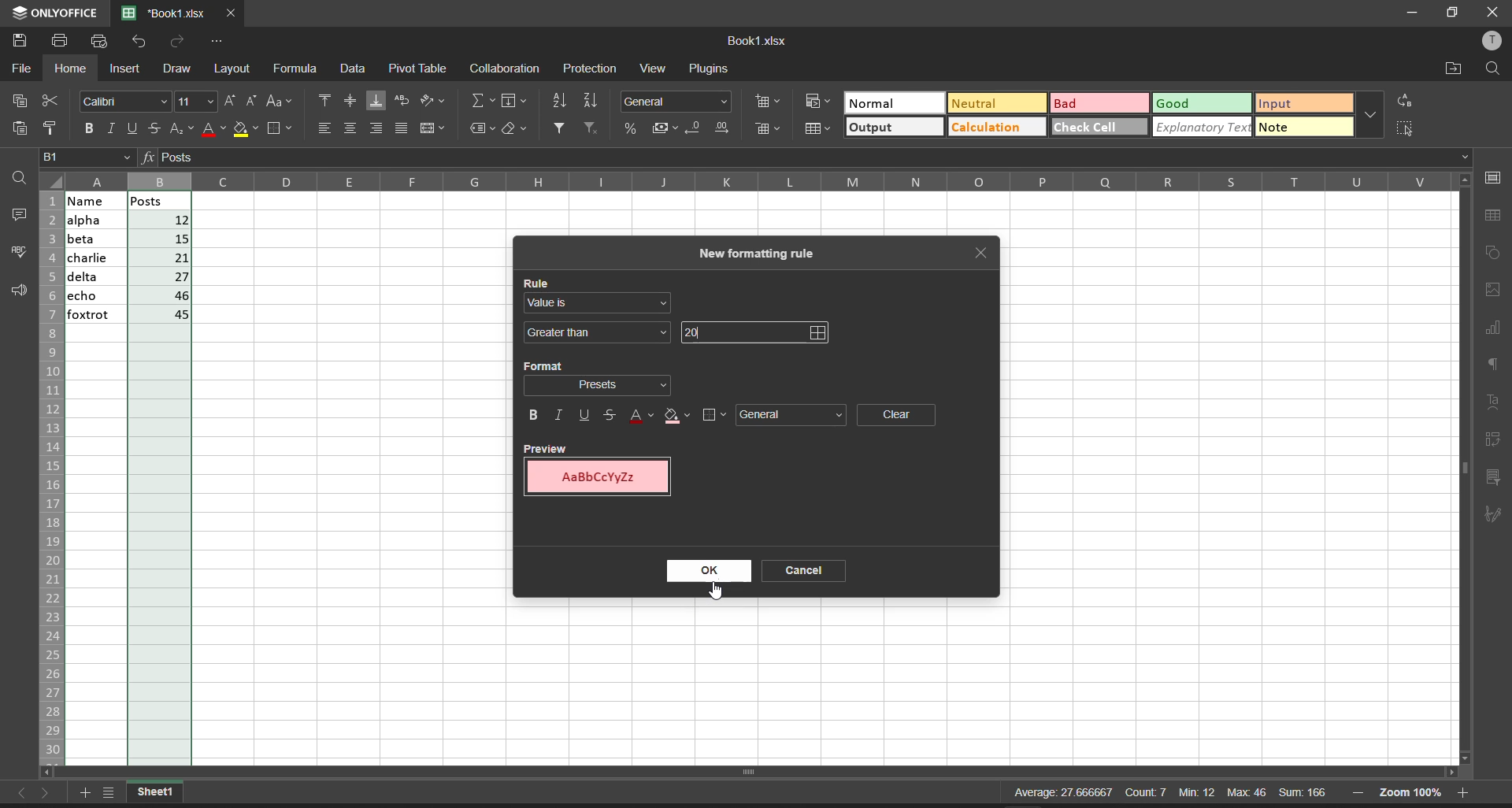 The width and height of the screenshot is (1512, 808). Describe the element at coordinates (435, 128) in the screenshot. I see `merge and center` at that location.